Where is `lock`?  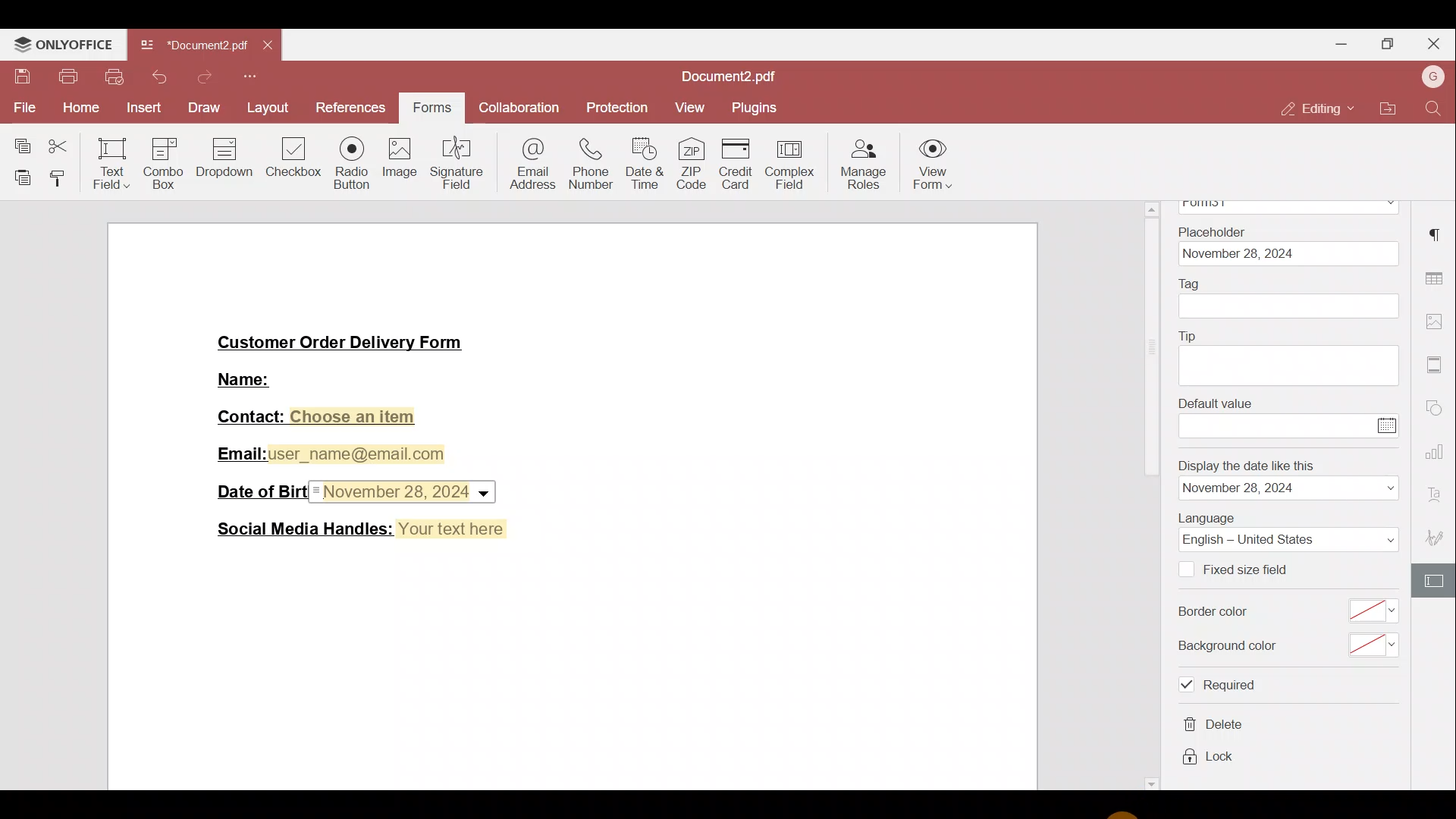 lock is located at coordinates (1210, 756).